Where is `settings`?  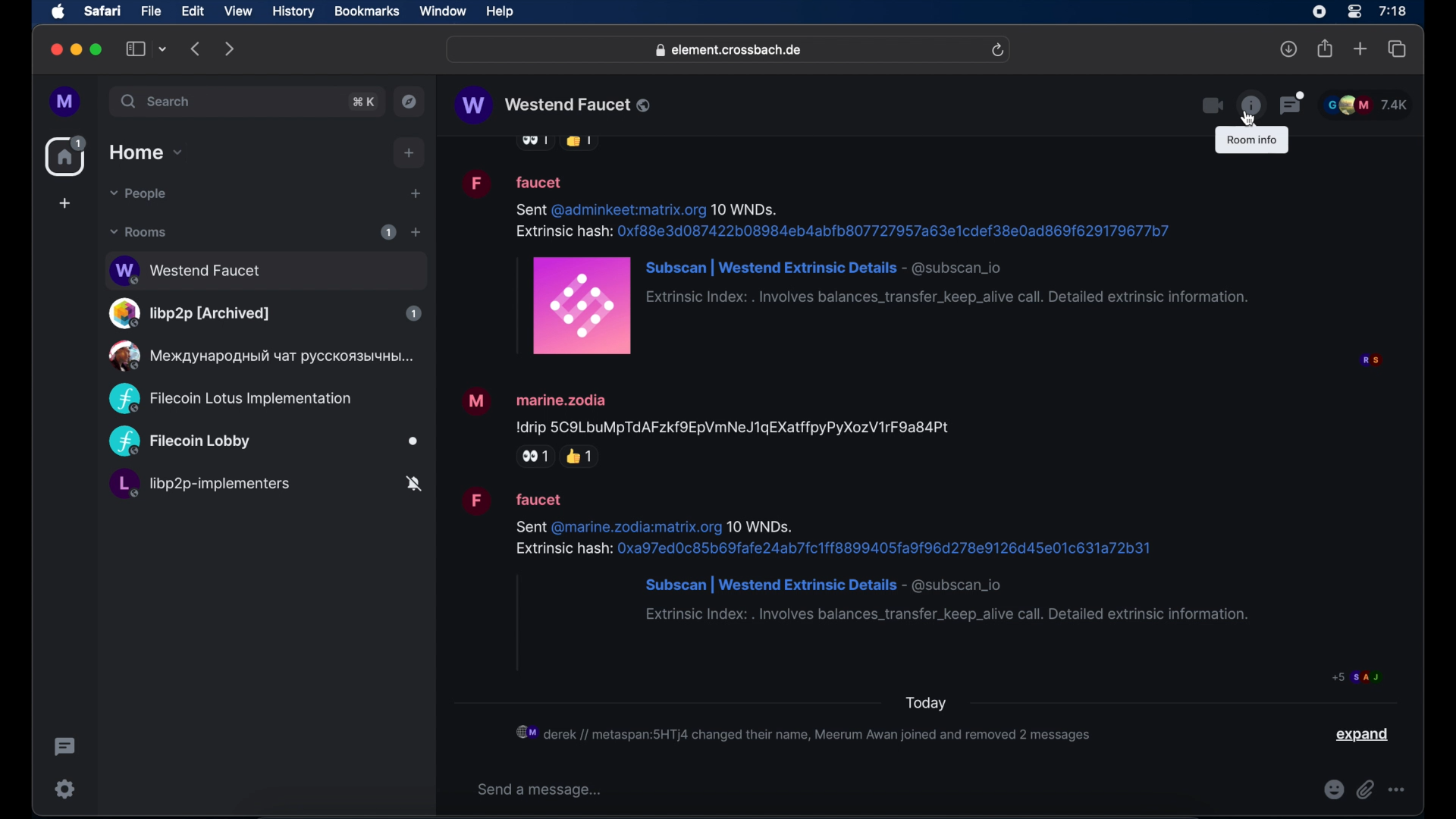
settings is located at coordinates (66, 789).